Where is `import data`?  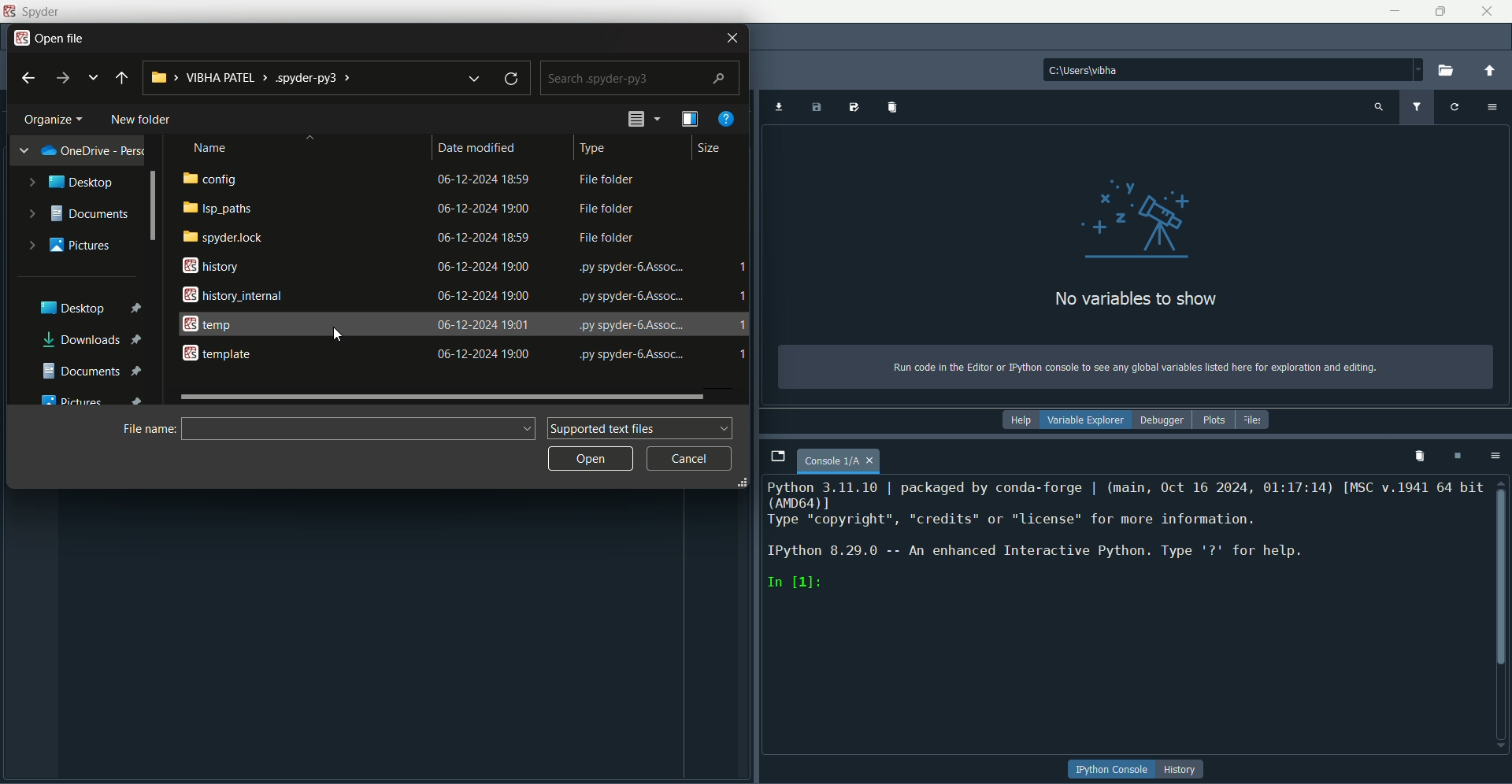 import data is located at coordinates (780, 108).